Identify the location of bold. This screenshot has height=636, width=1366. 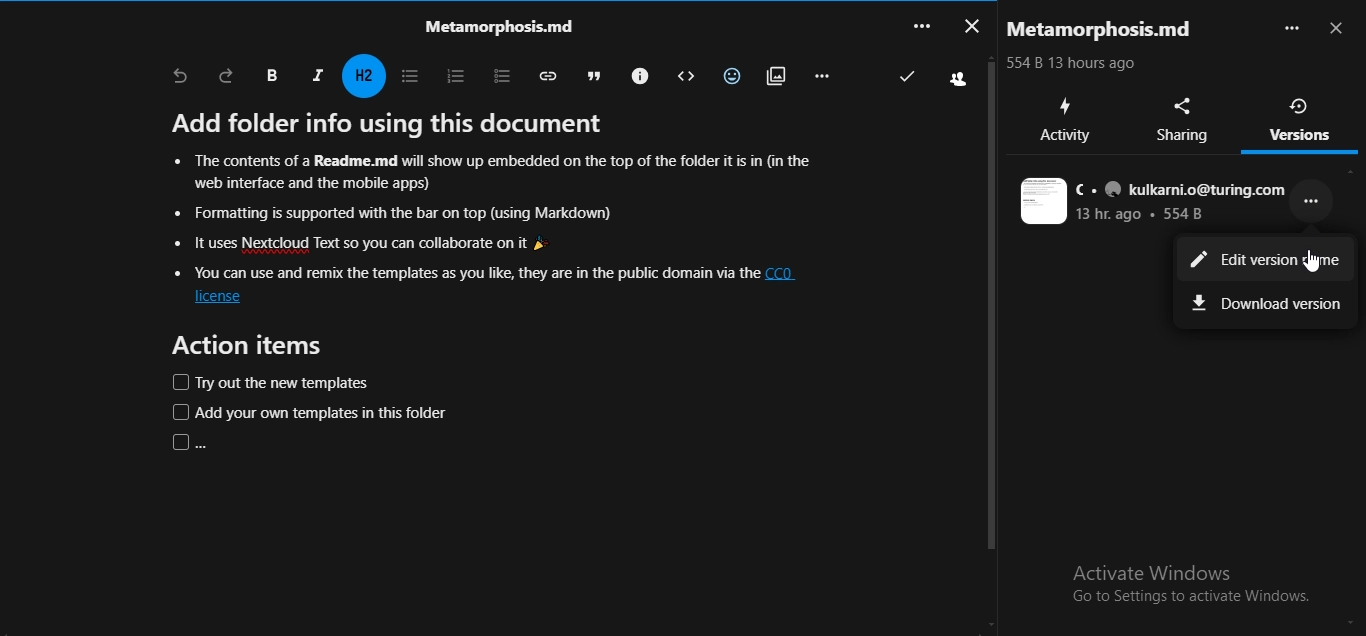
(271, 76).